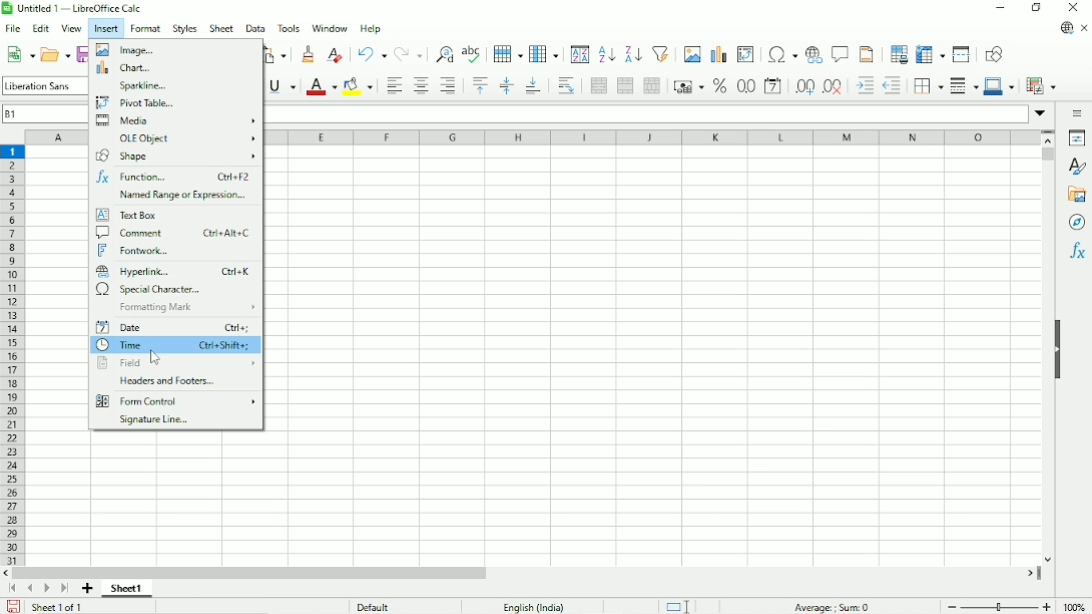  I want to click on Sort descending, so click(632, 52).